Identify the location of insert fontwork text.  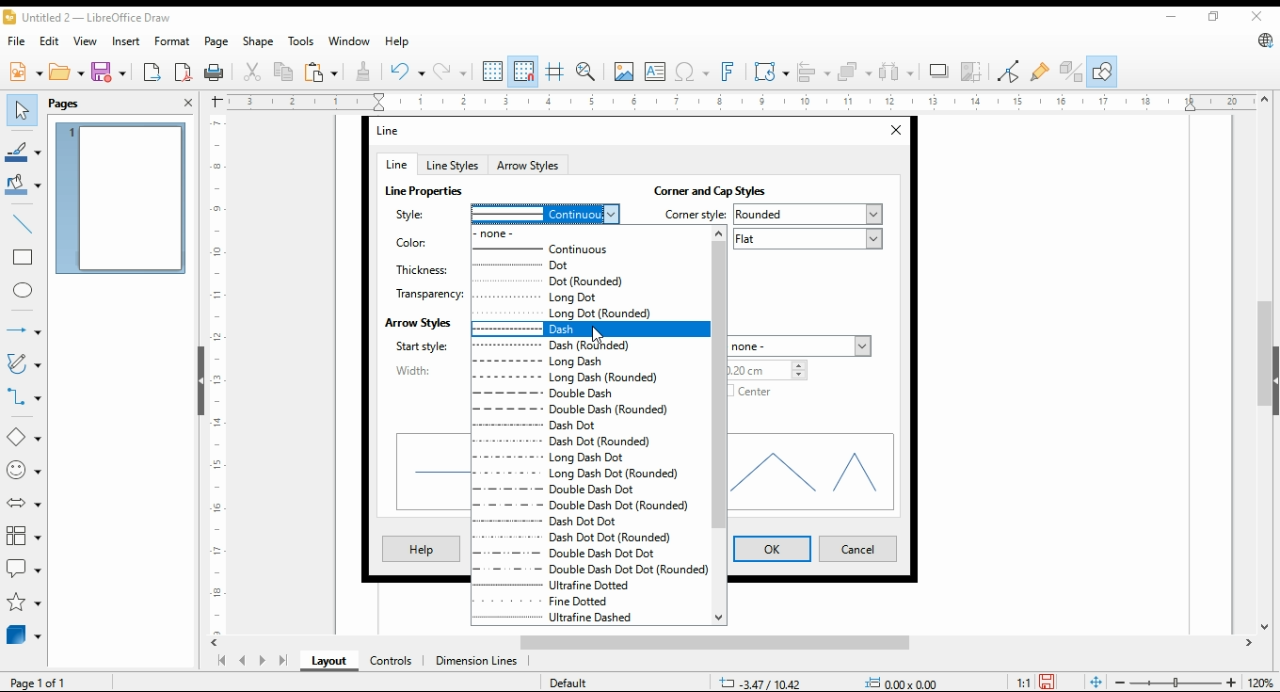
(726, 72).